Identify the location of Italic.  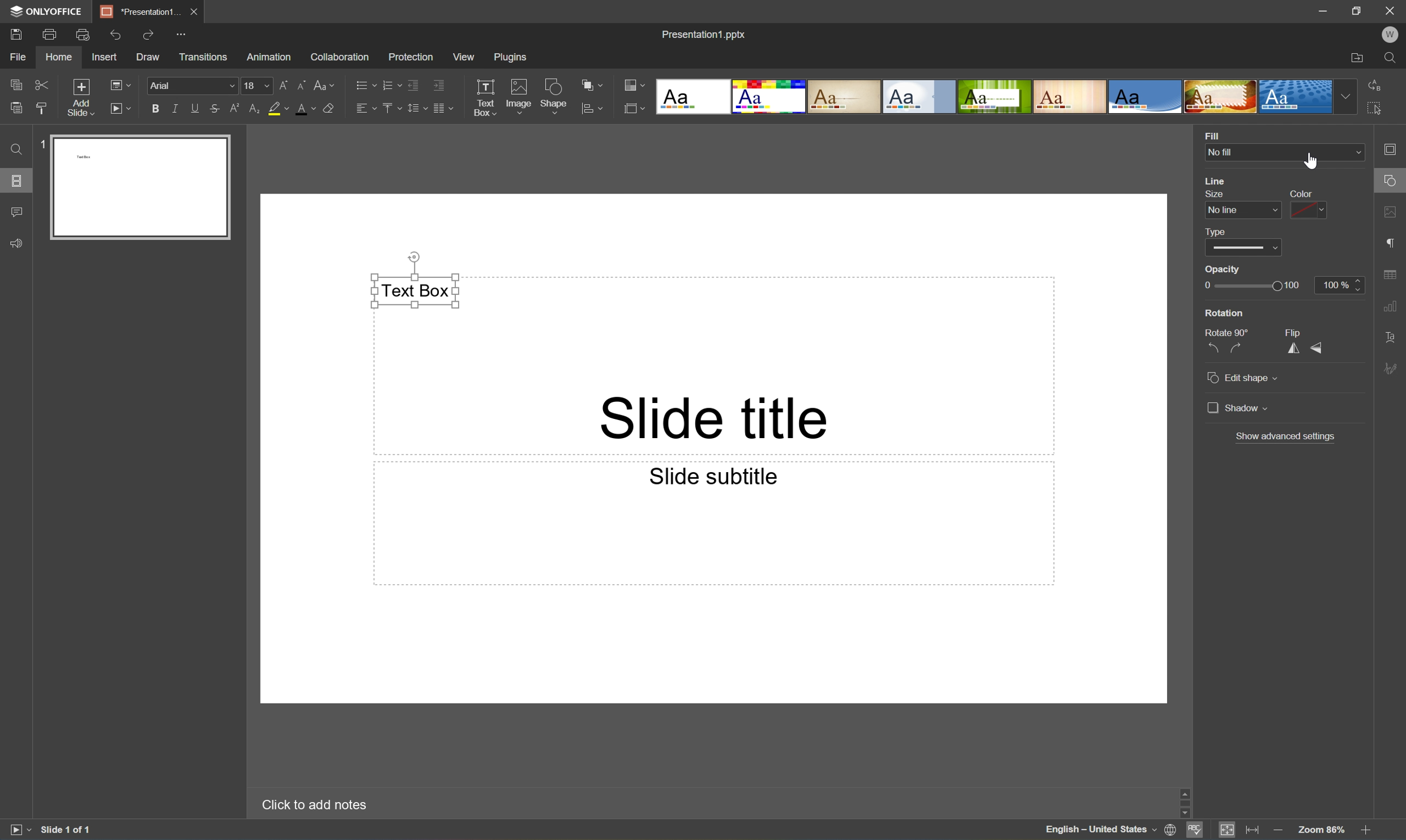
(174, 109).